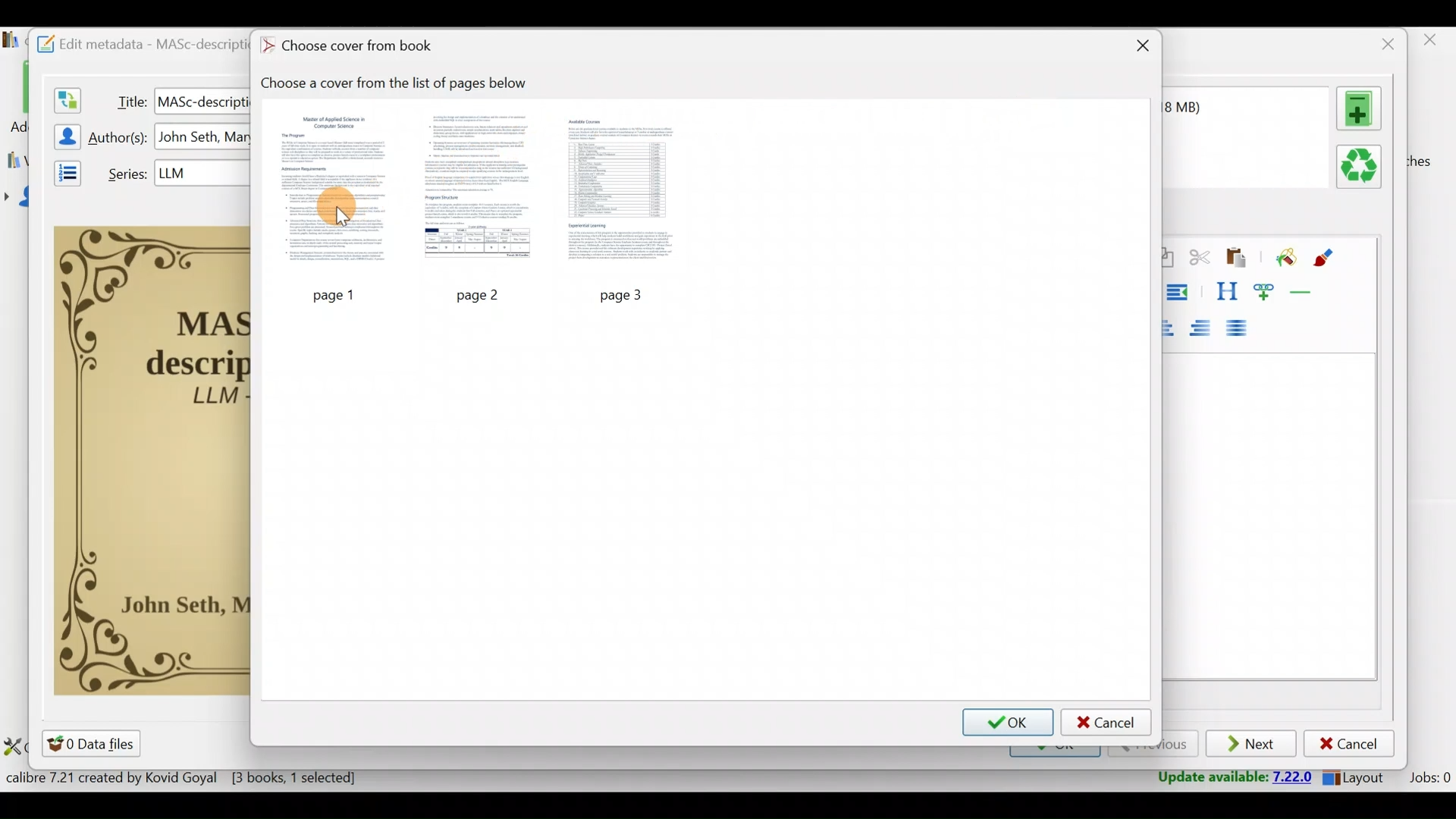 The height and width of the screenshot is (819, 1456). What do you see at coordinates (1284, 259) in the screenshot?
I see `Background colour` at bounding box center [1284, 259].